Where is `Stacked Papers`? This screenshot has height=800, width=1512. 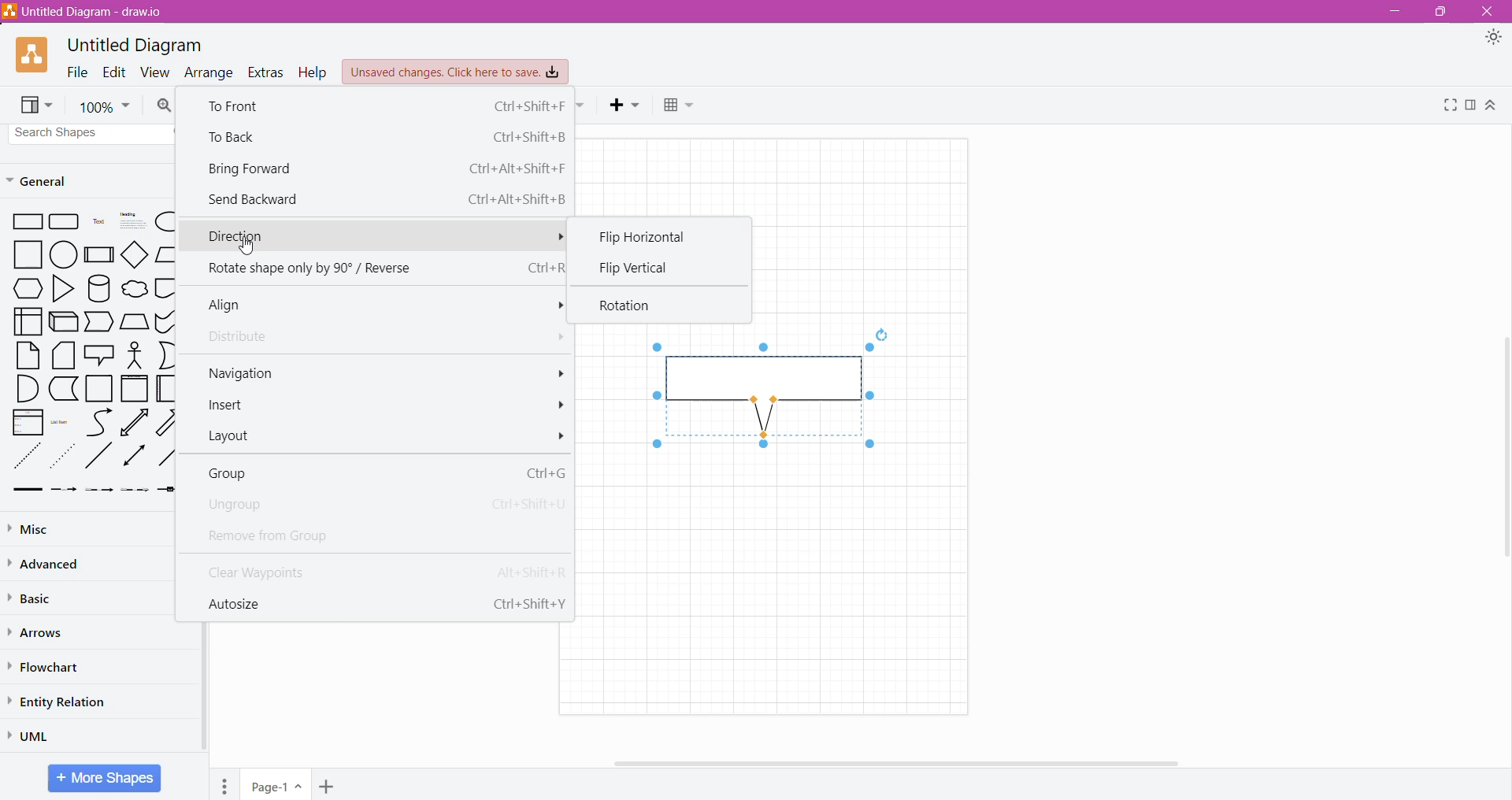 Stacked Papers is located at coordinates (64, 356).